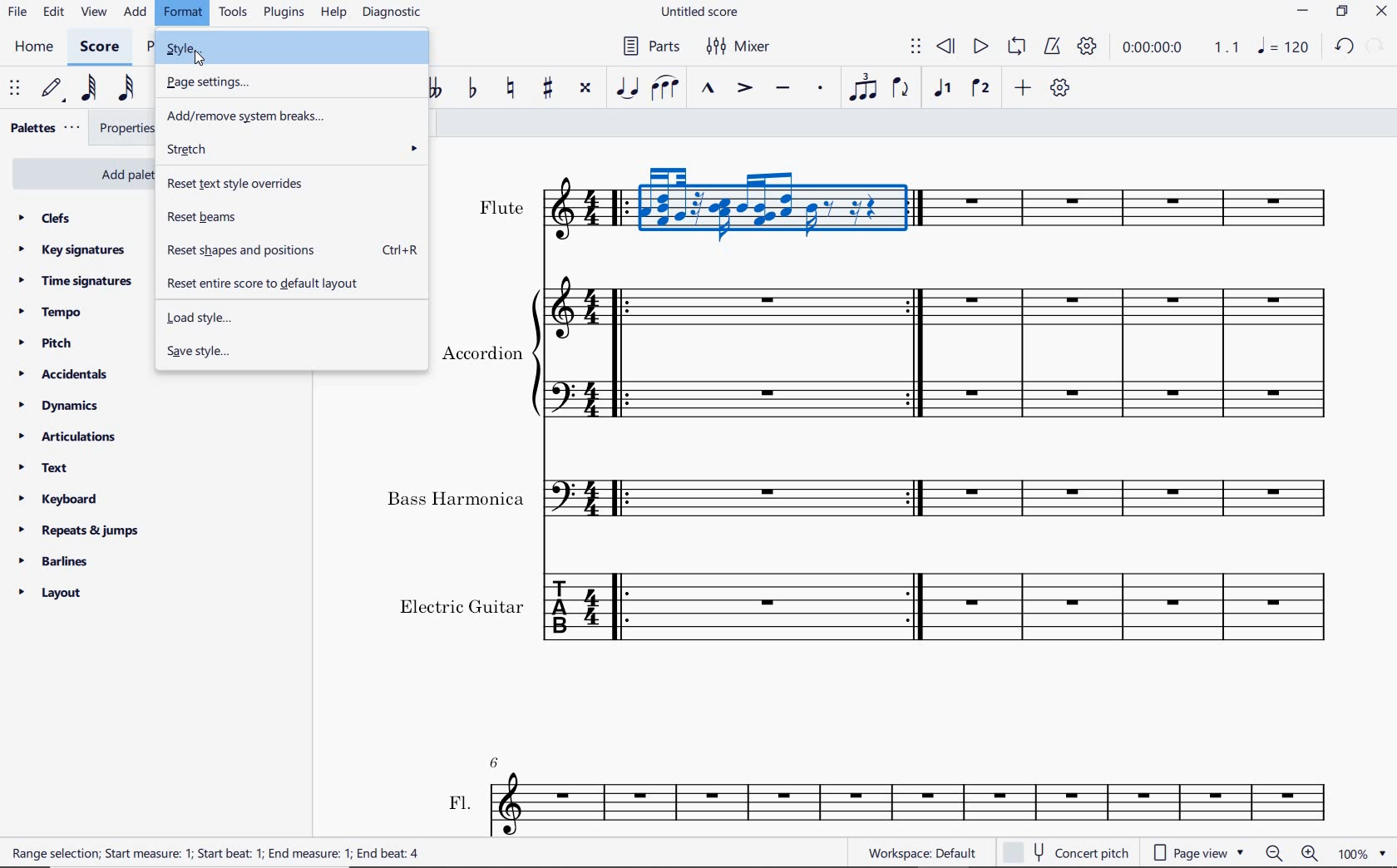  What do you see at coordinates (291, 318) in the screenshot?
I see `load style` at bounding box center [291, 318].